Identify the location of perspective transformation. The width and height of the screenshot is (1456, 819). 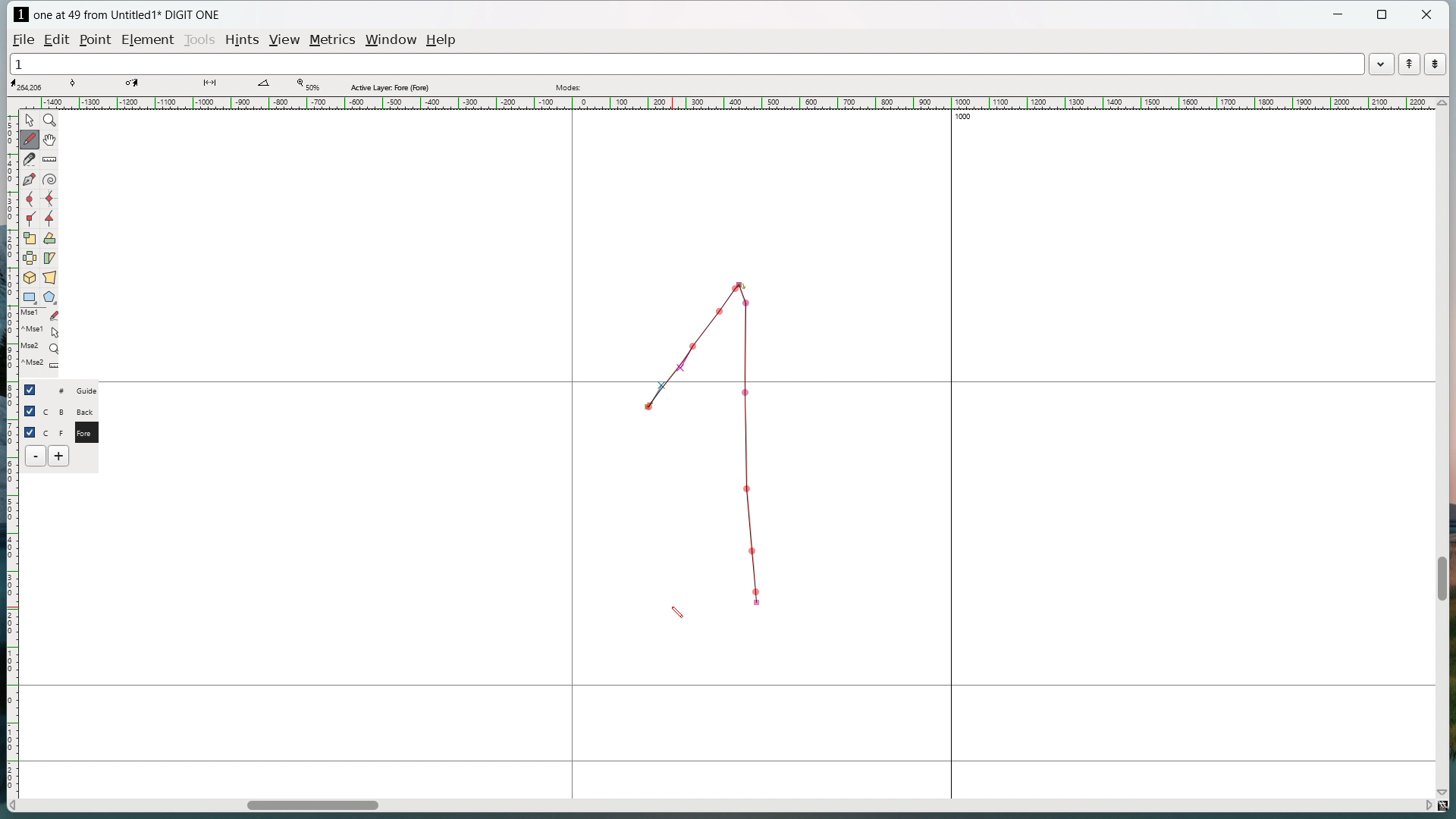
(49, 277).